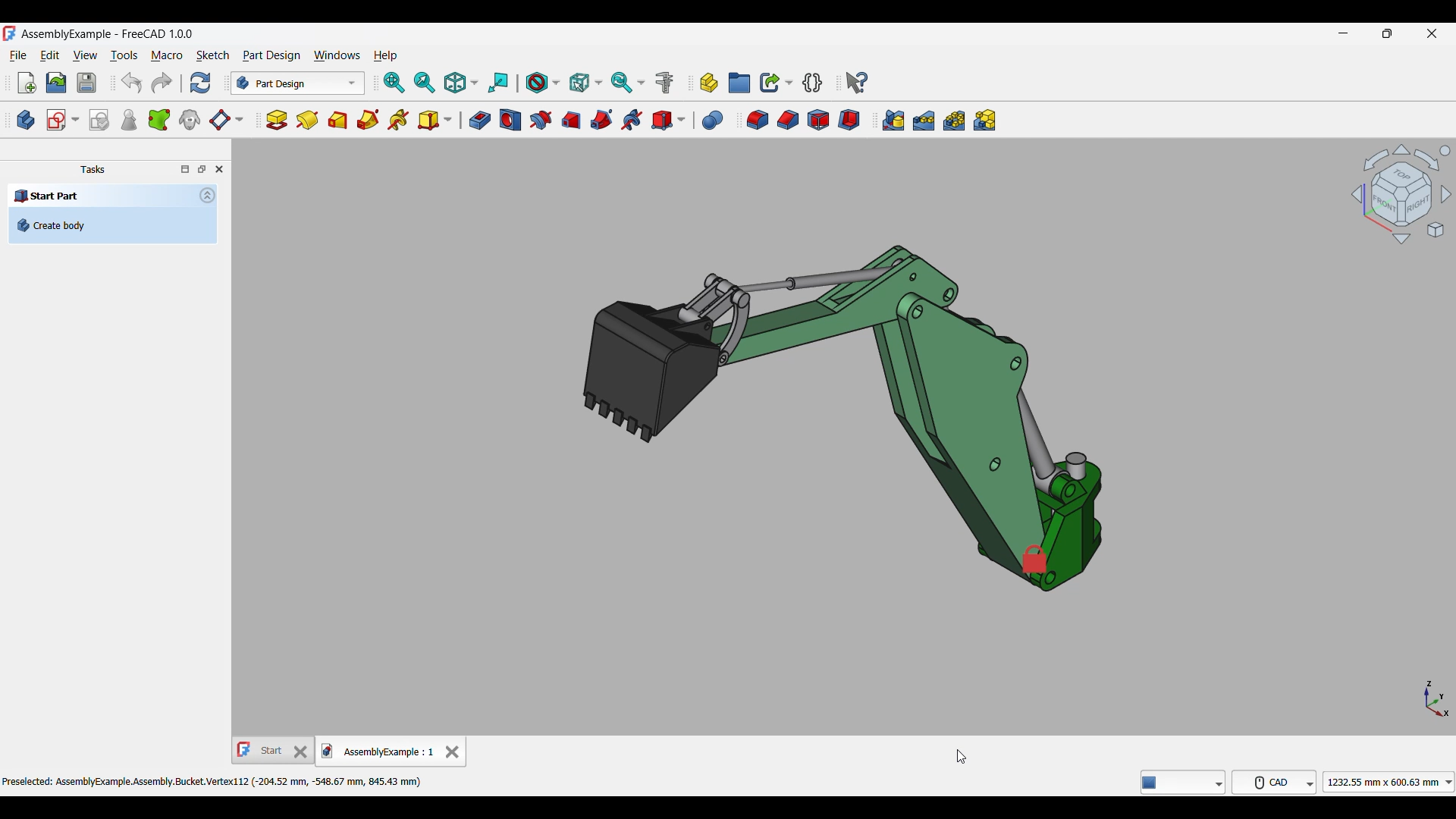 This screenshot has height=819, width=1456. What do you see at coordinates (297, 83) in the screenshot?
I see `Switch between workbenches` at bounding box center [297, 83].